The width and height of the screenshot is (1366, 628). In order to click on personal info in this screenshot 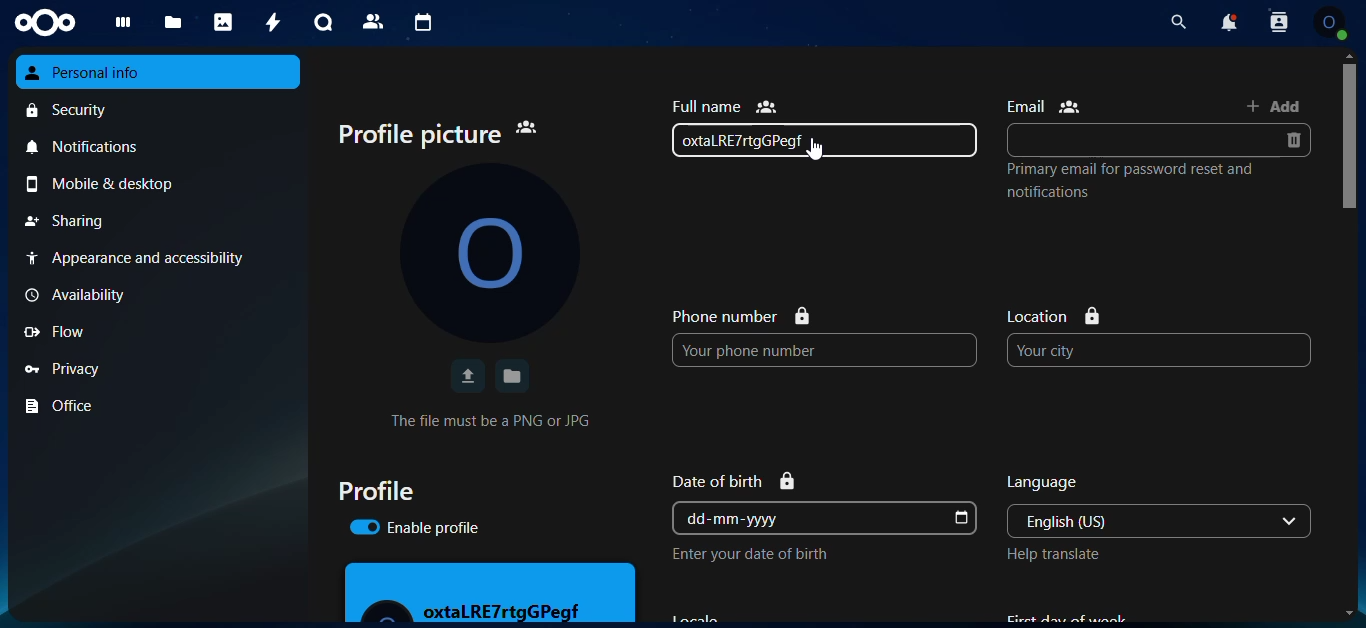, I will do `click(159, 72)`.